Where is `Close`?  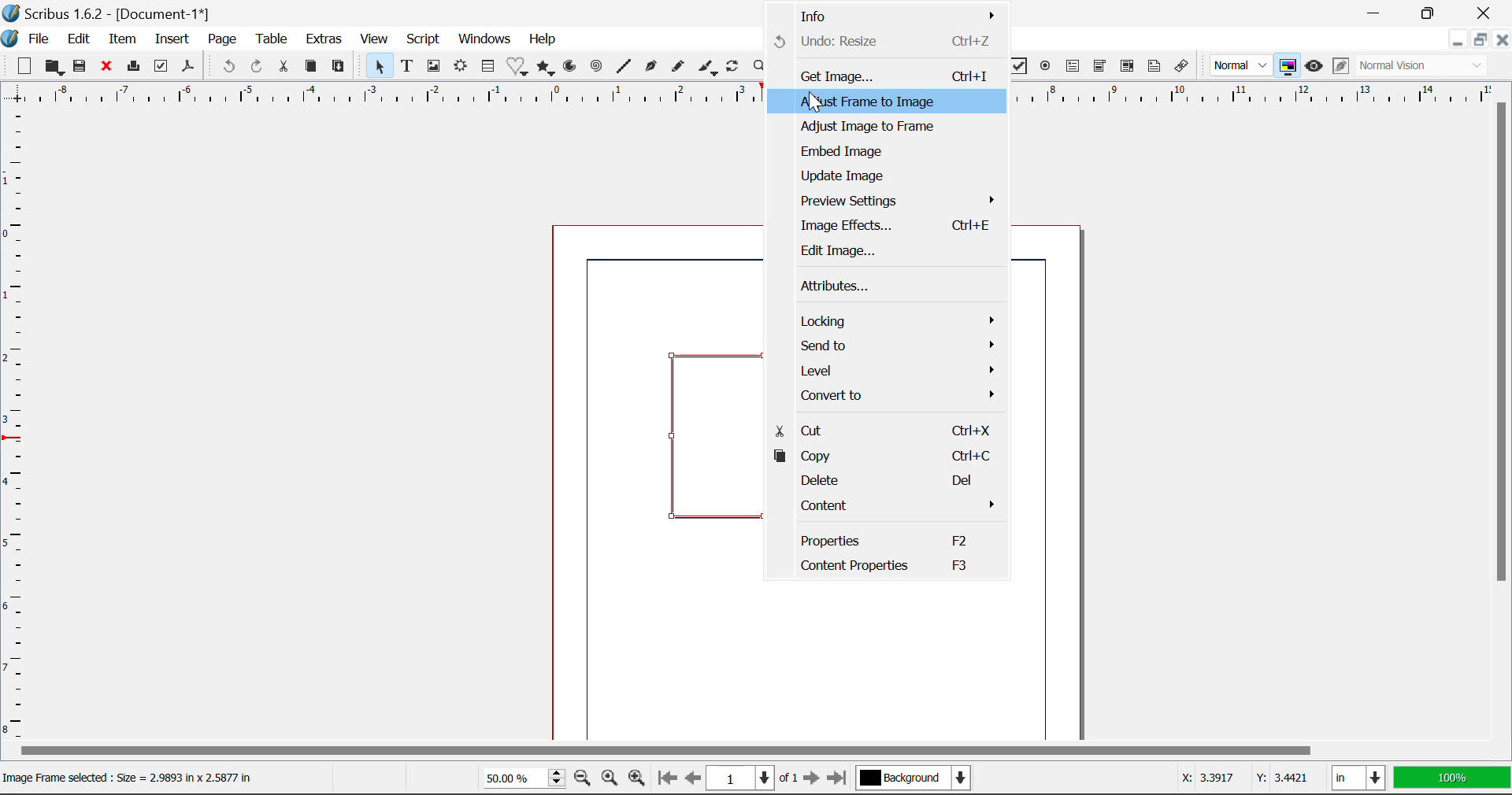
Close is located at coordinates (1503, 39).